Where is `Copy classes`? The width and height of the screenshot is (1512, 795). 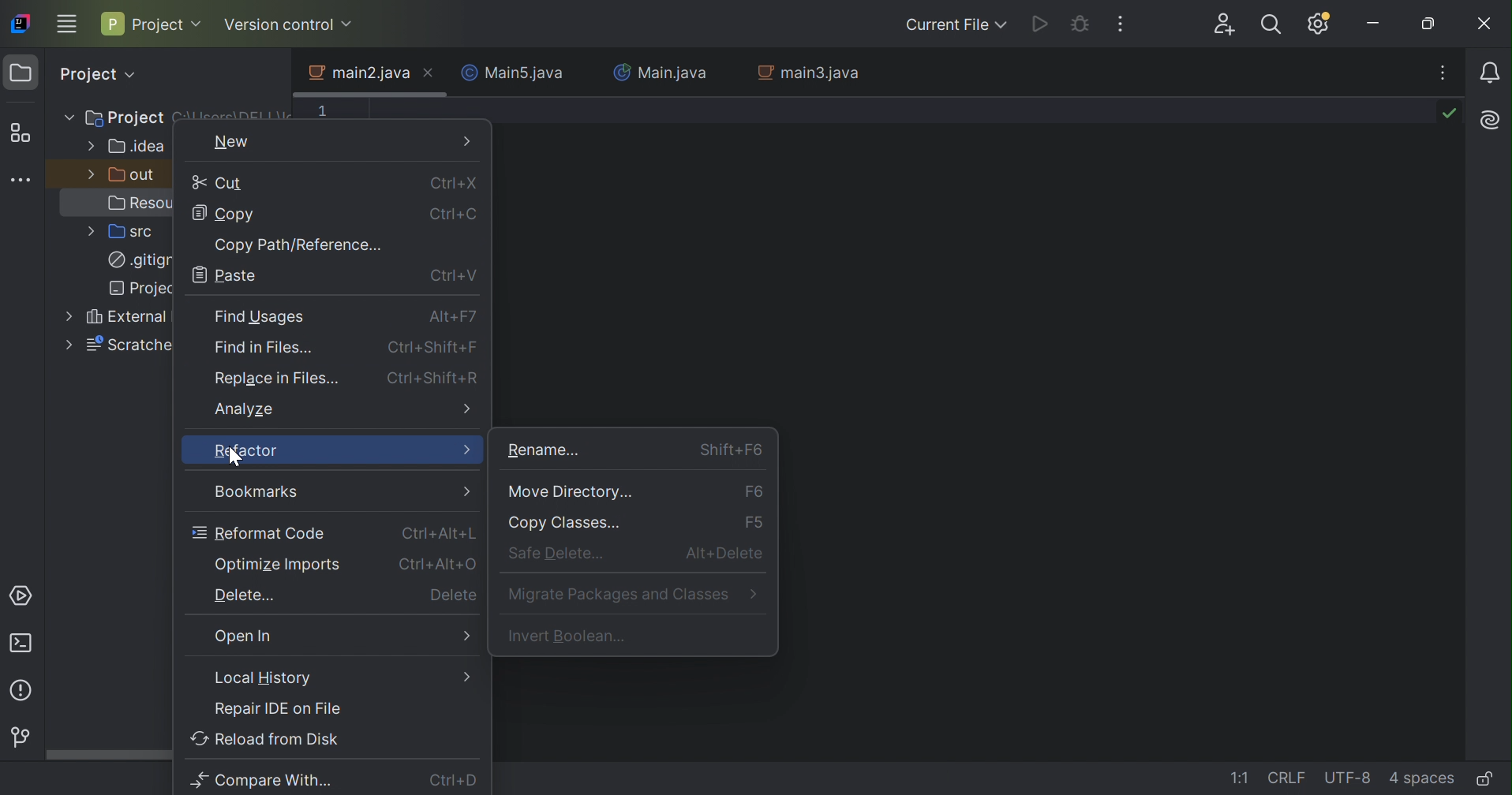 Copy classes is located at coordinates (568, 522).